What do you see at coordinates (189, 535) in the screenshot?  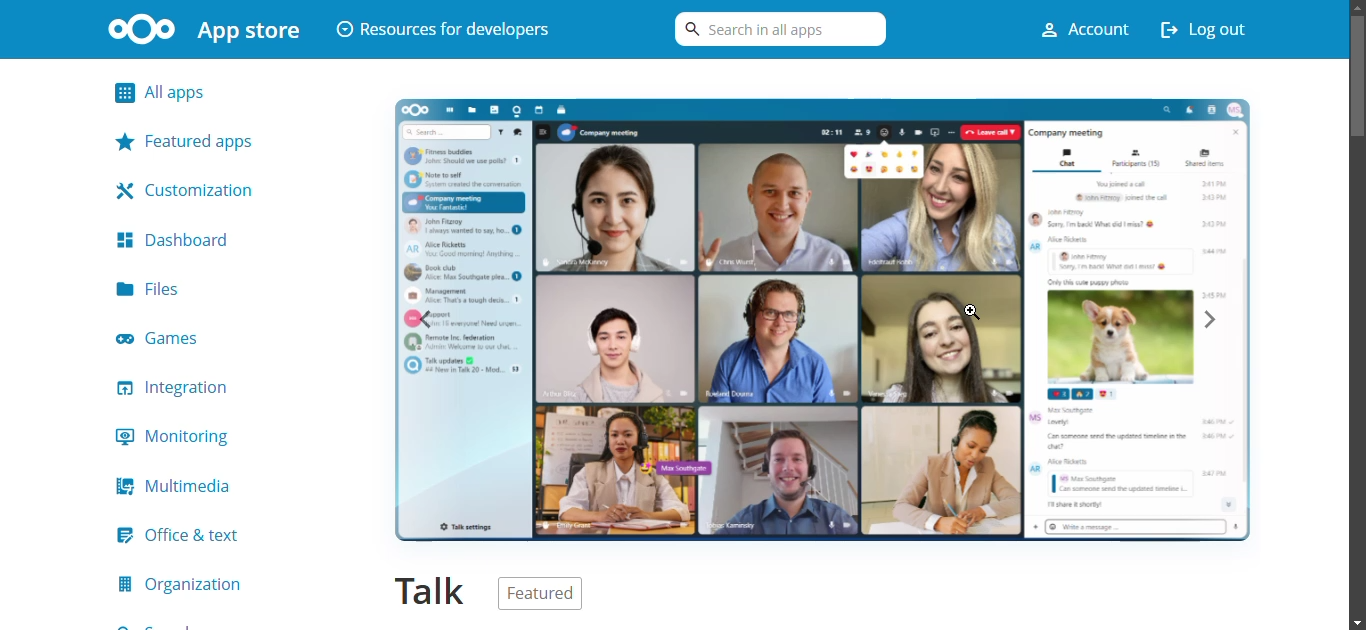 I see `office & text` at bounding box center [189, 535].